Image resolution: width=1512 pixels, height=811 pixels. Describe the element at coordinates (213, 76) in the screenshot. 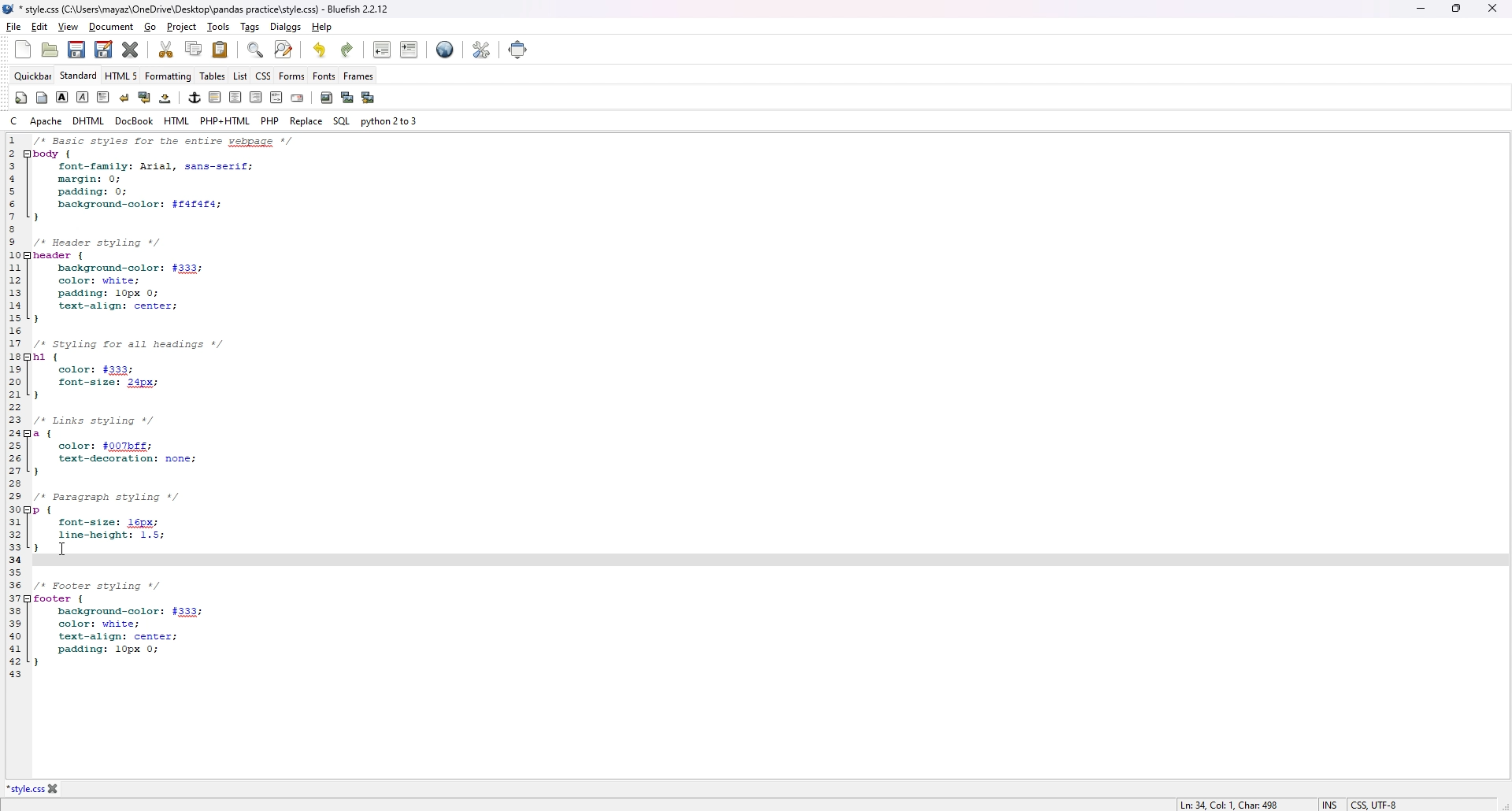

I see `tables` at that location.